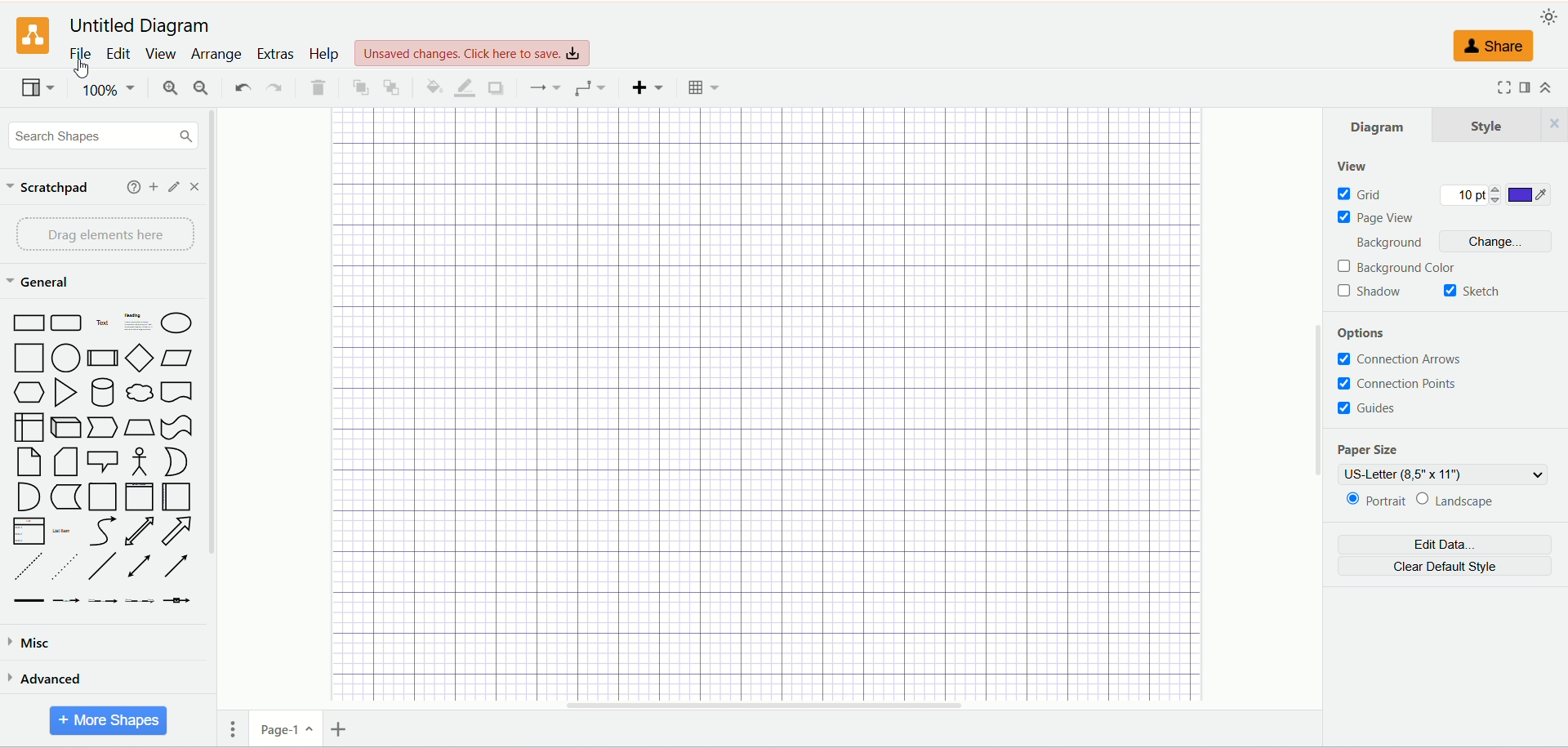 This screenshot has width=1568, height=748. I want to click on Tape, so click(176, 428).